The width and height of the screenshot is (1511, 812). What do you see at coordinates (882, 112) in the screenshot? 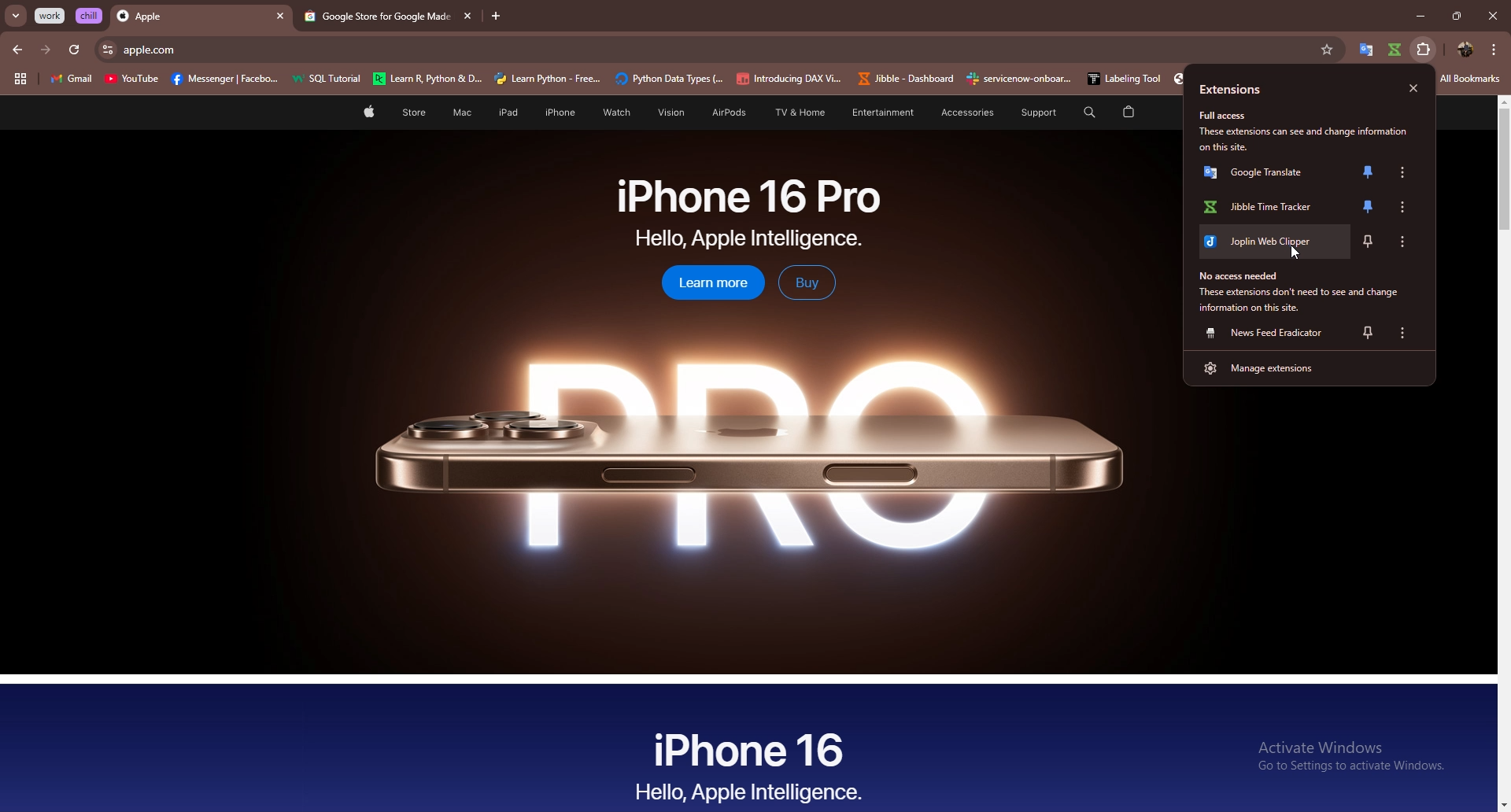
I see `Entertainment` at bounding box center [882, 112].